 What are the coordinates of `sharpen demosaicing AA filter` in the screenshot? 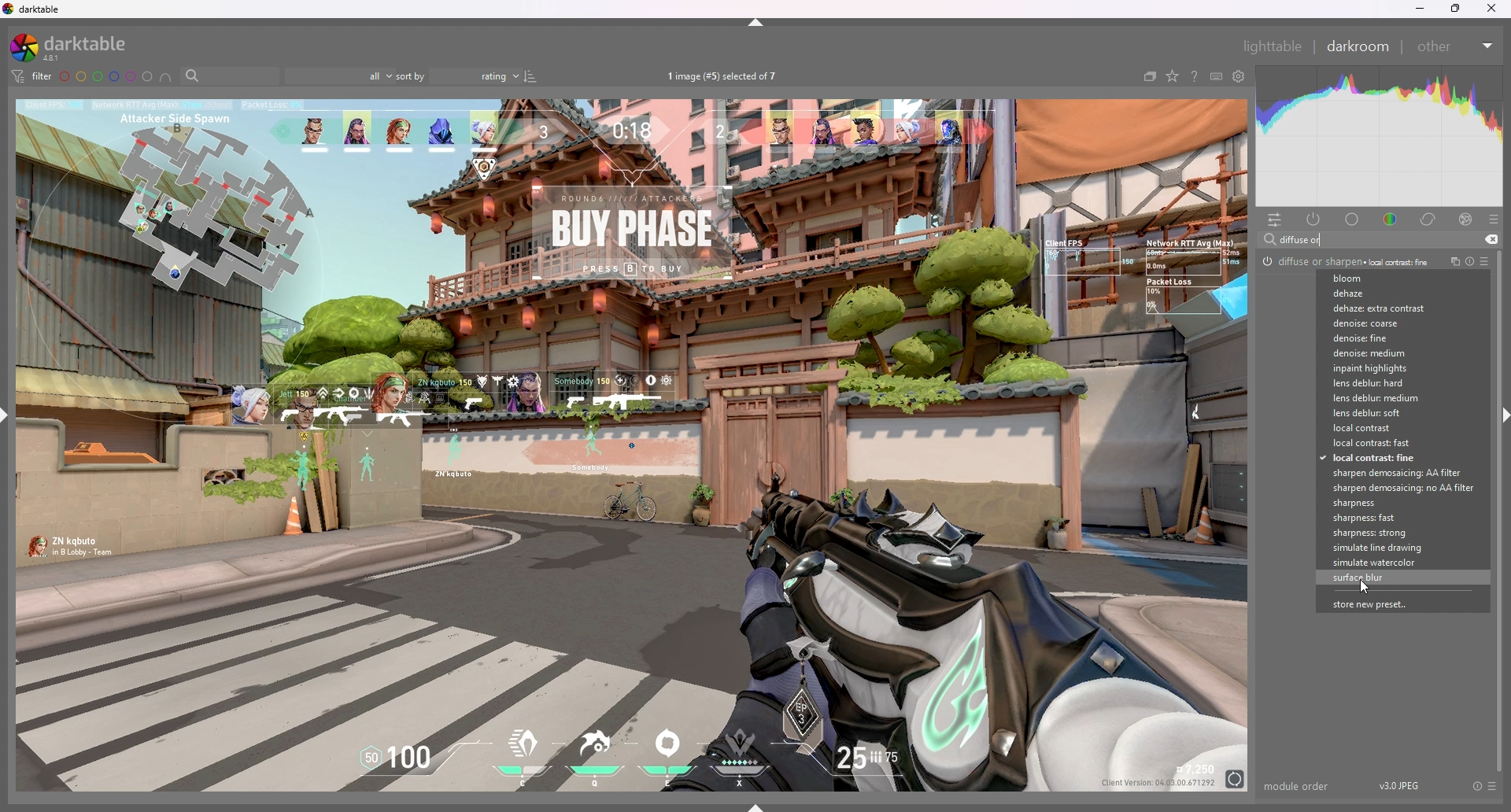 It's located at (1398, 474).